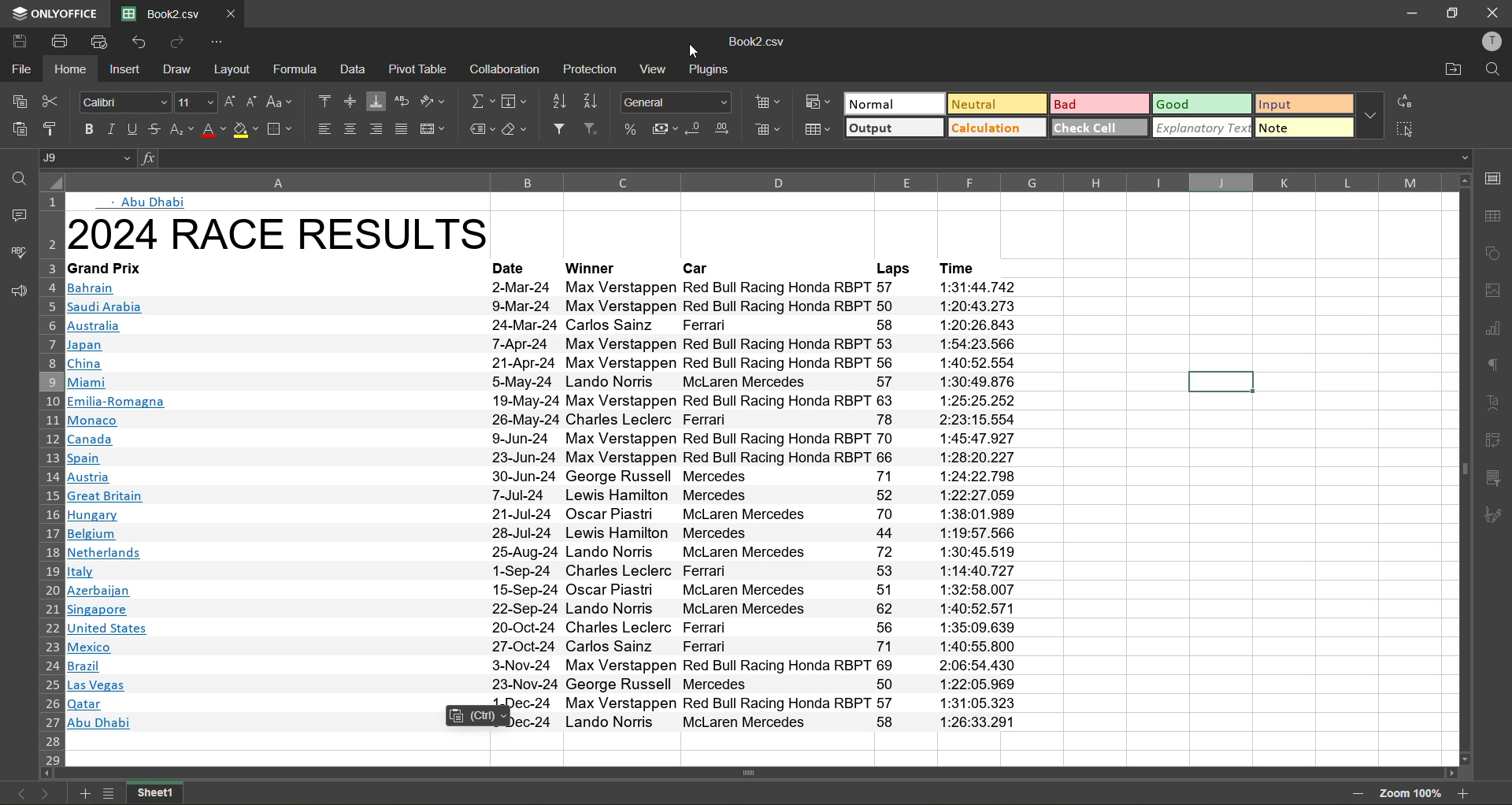 The height and width of the screenshot is (805, 1512). Describe the element at coordinates (1494, 257) in the screenshot. I see `shapes` at that location.